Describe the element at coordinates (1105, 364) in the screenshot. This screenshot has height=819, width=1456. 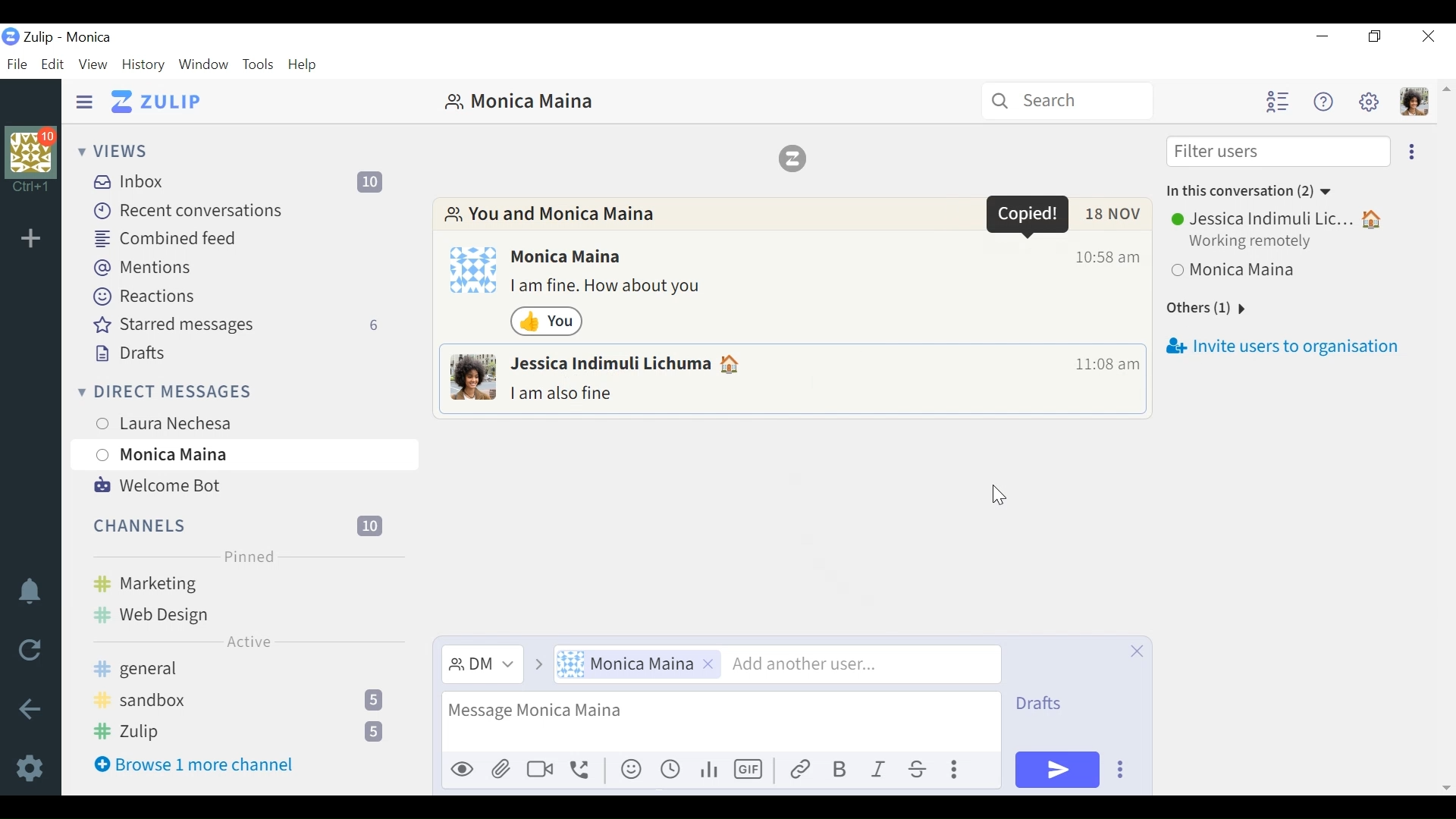
I see `Time` at that location.